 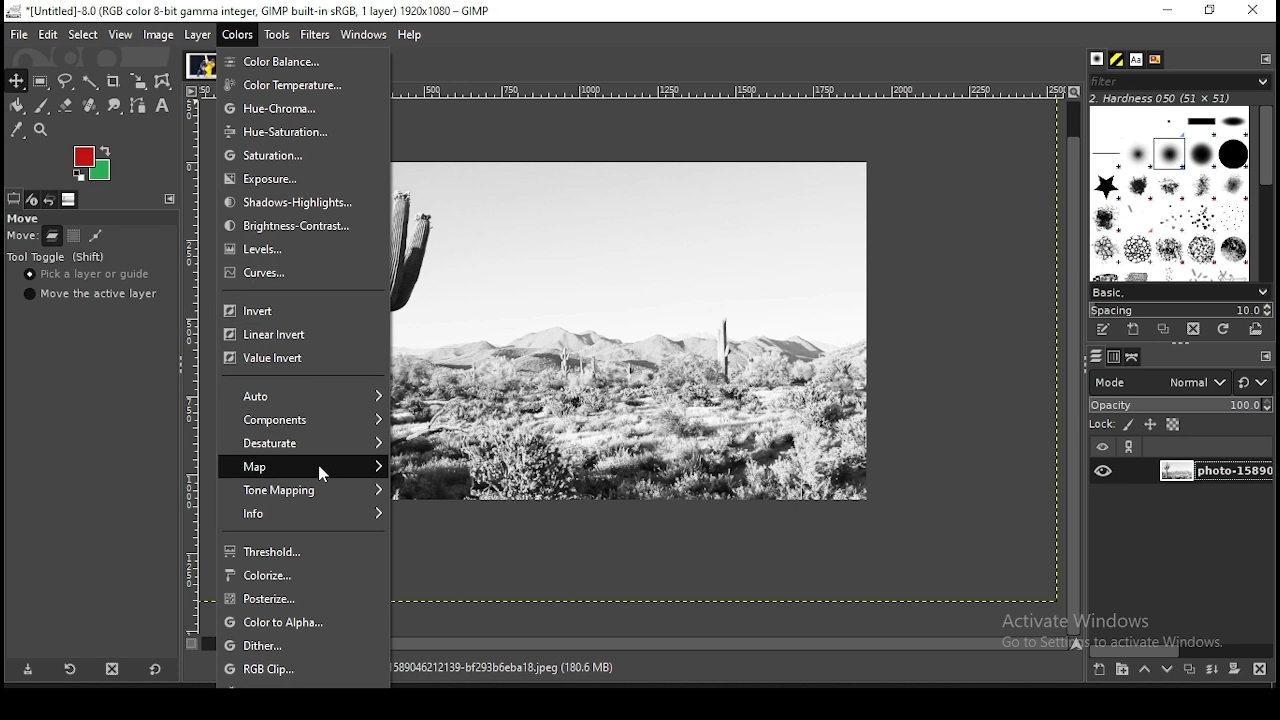 What do you see at coordinates (523, 667) in the screenshot?
I see `` at bounding box center [523, 667].